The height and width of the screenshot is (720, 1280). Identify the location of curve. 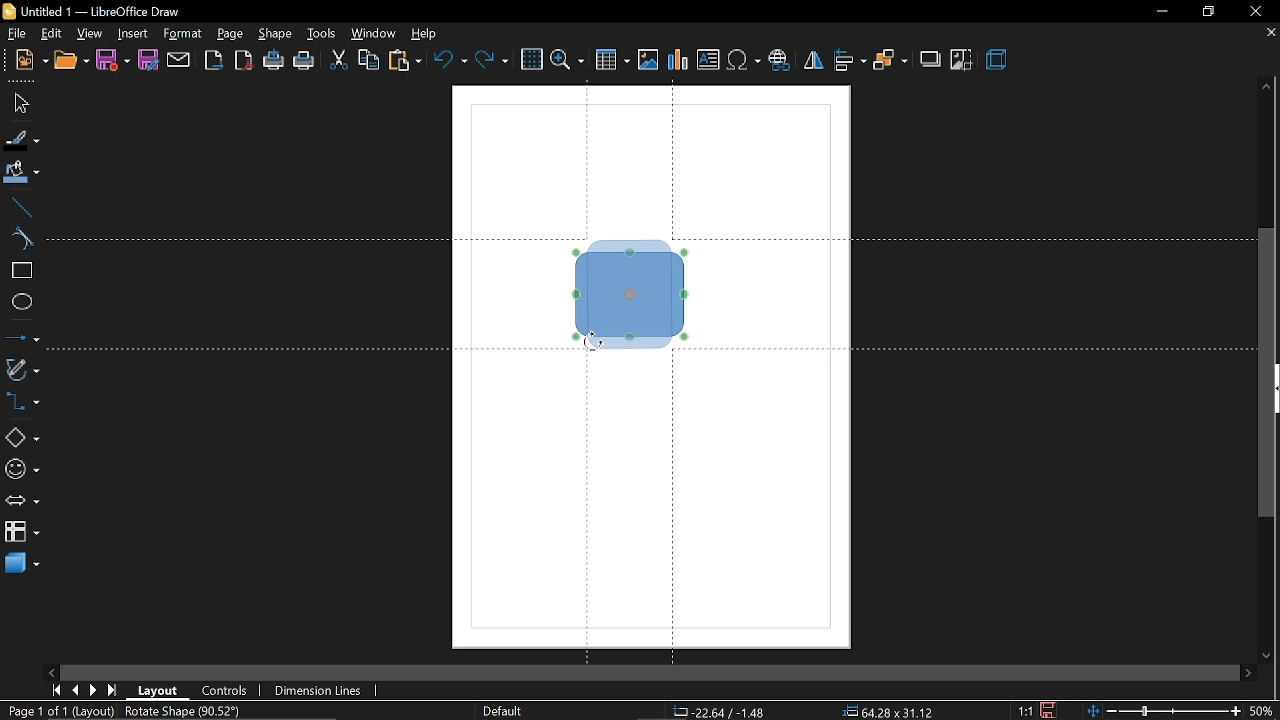
(20, 239).